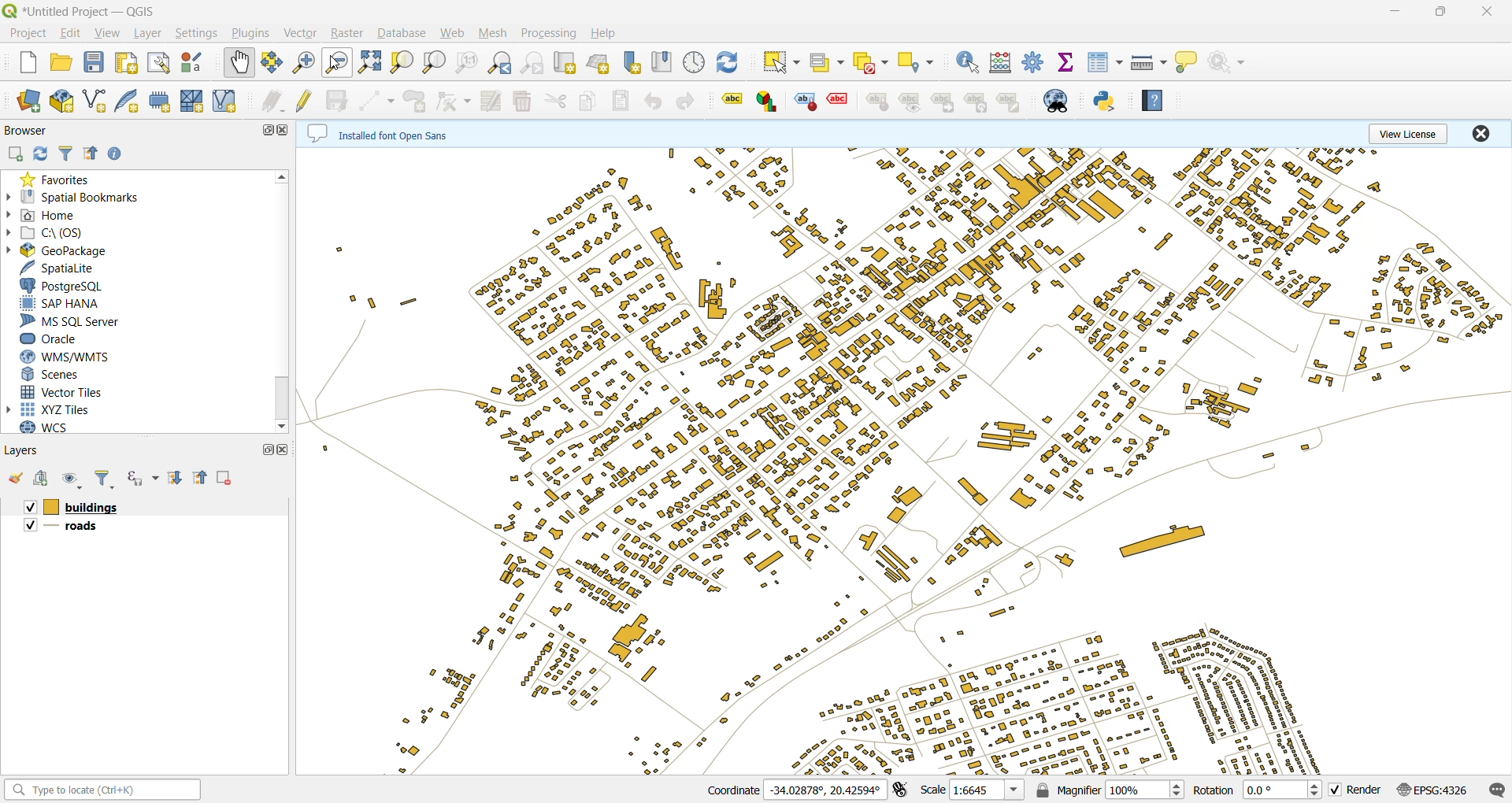  Describe the element at coordinates (969, 64) in the screenshot. I see `identify features` at that location.